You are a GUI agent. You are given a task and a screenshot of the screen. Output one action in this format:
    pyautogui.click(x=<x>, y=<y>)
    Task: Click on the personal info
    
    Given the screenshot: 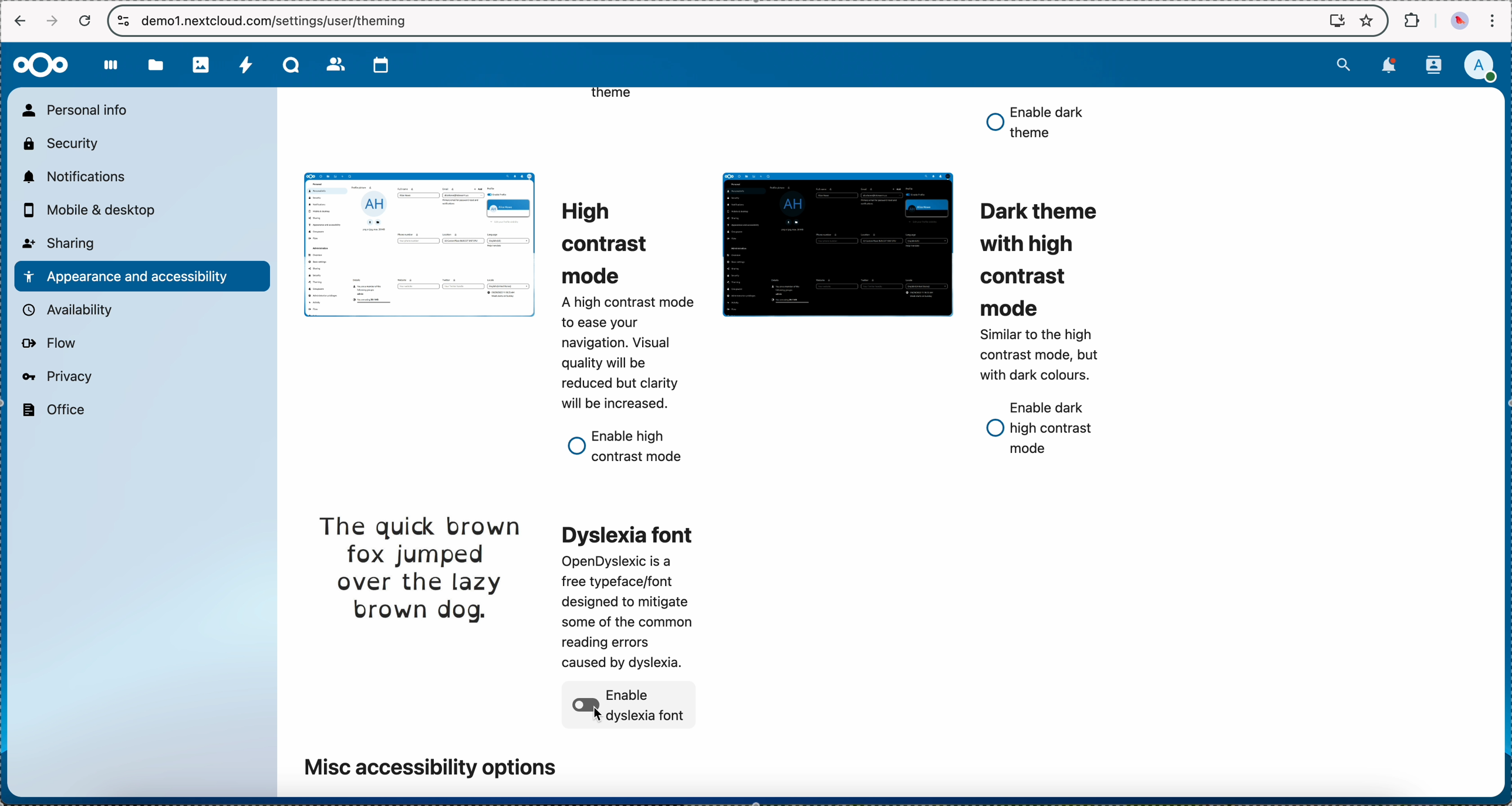 What is the action you would take?
    pyautogui.click(x=80, y=110)
    